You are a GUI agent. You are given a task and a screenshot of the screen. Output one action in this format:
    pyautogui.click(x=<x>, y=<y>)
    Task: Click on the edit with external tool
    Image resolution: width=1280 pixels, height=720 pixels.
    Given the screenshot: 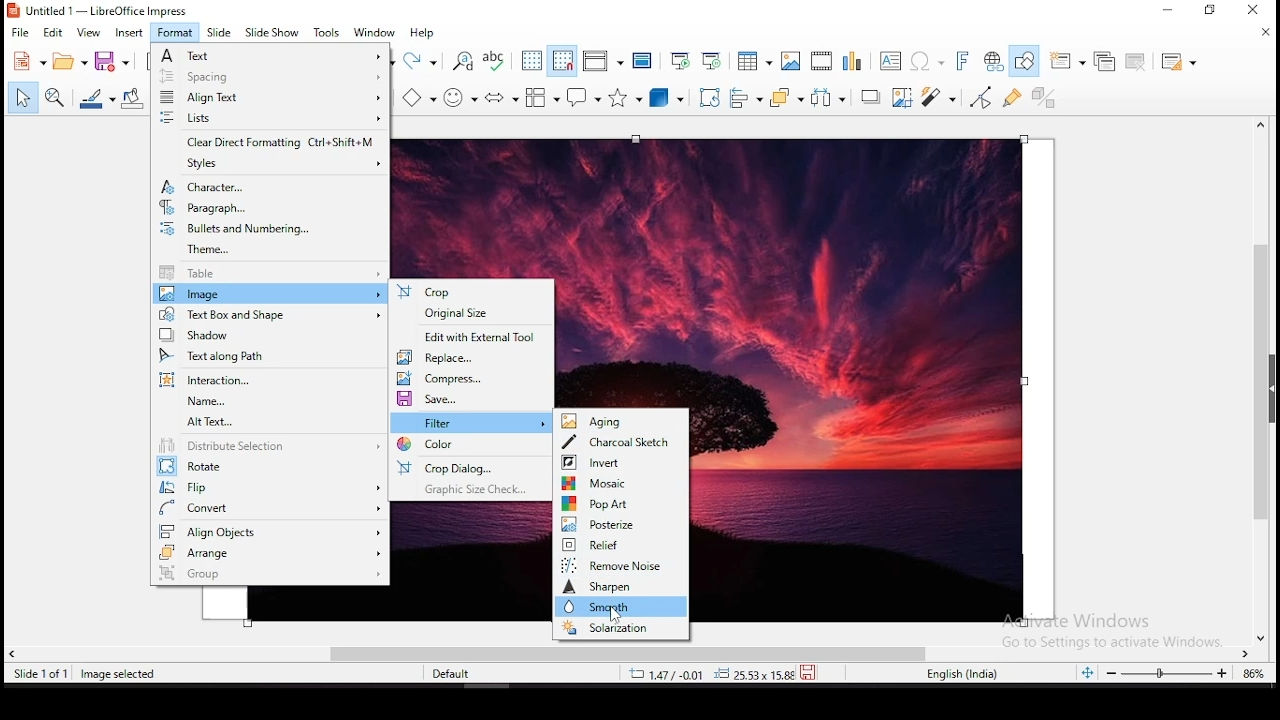 What is the action you would take?
    pyautogui.click(x=475, y=336)
    